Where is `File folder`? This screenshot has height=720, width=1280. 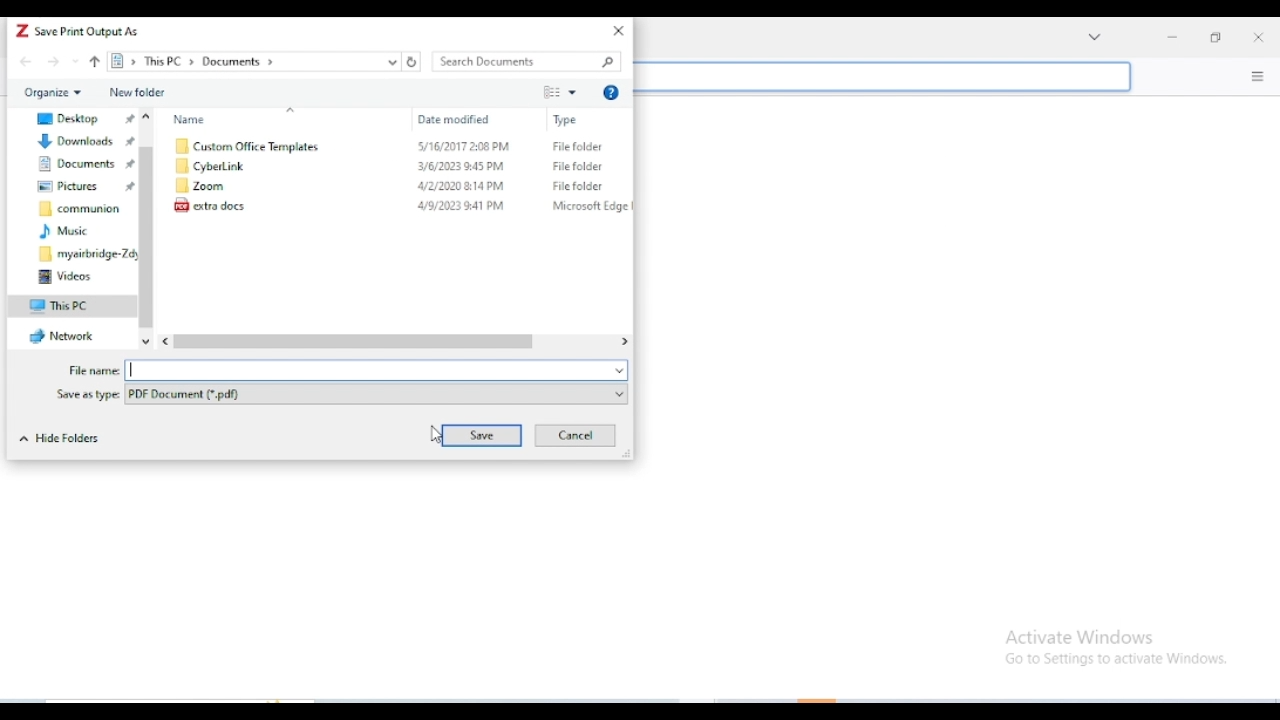
File folder is located at coordinates (579, 166).